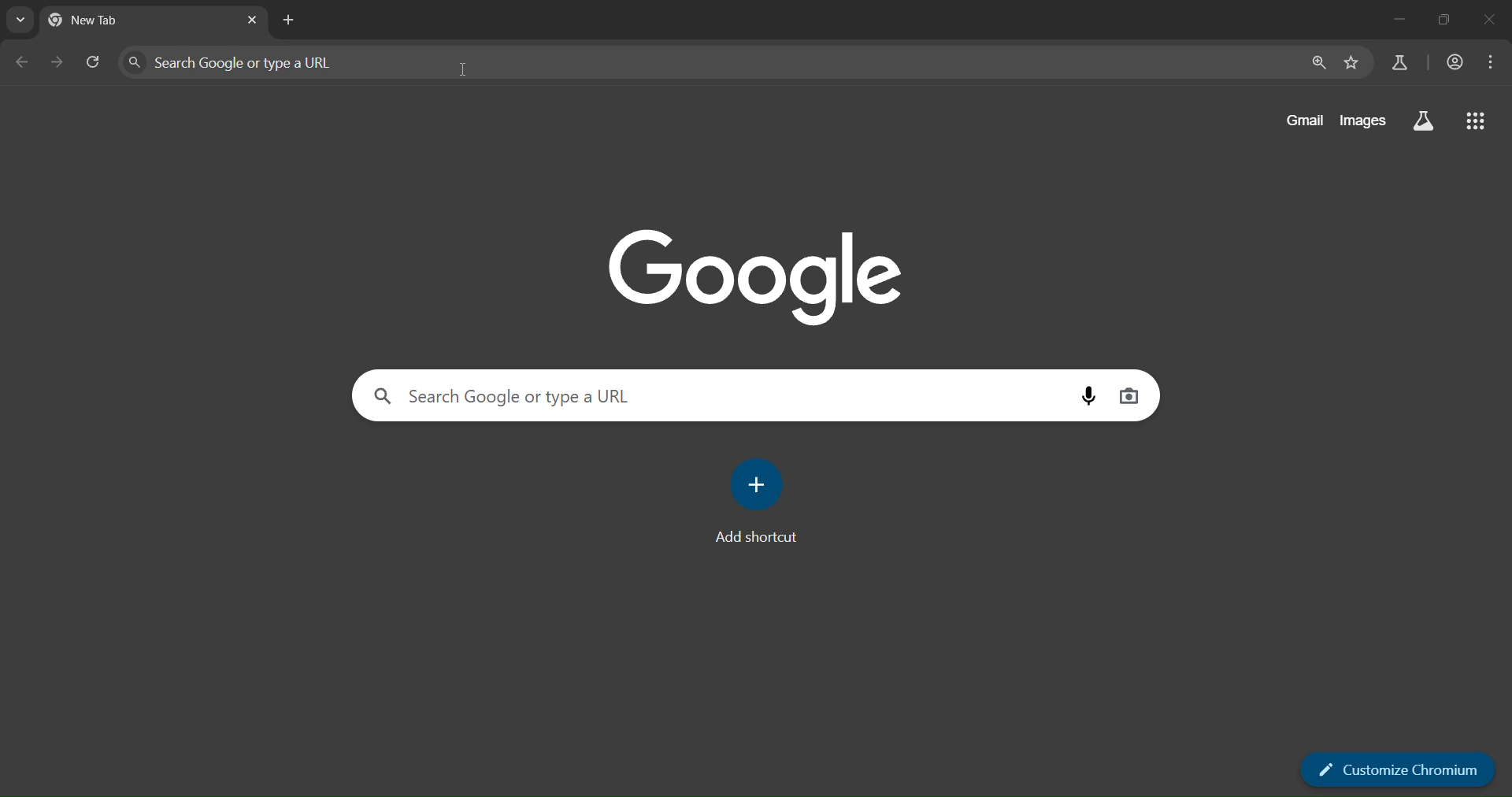 The image size is (1512, 797). I want to click on go forward one page, so click(61, 65).